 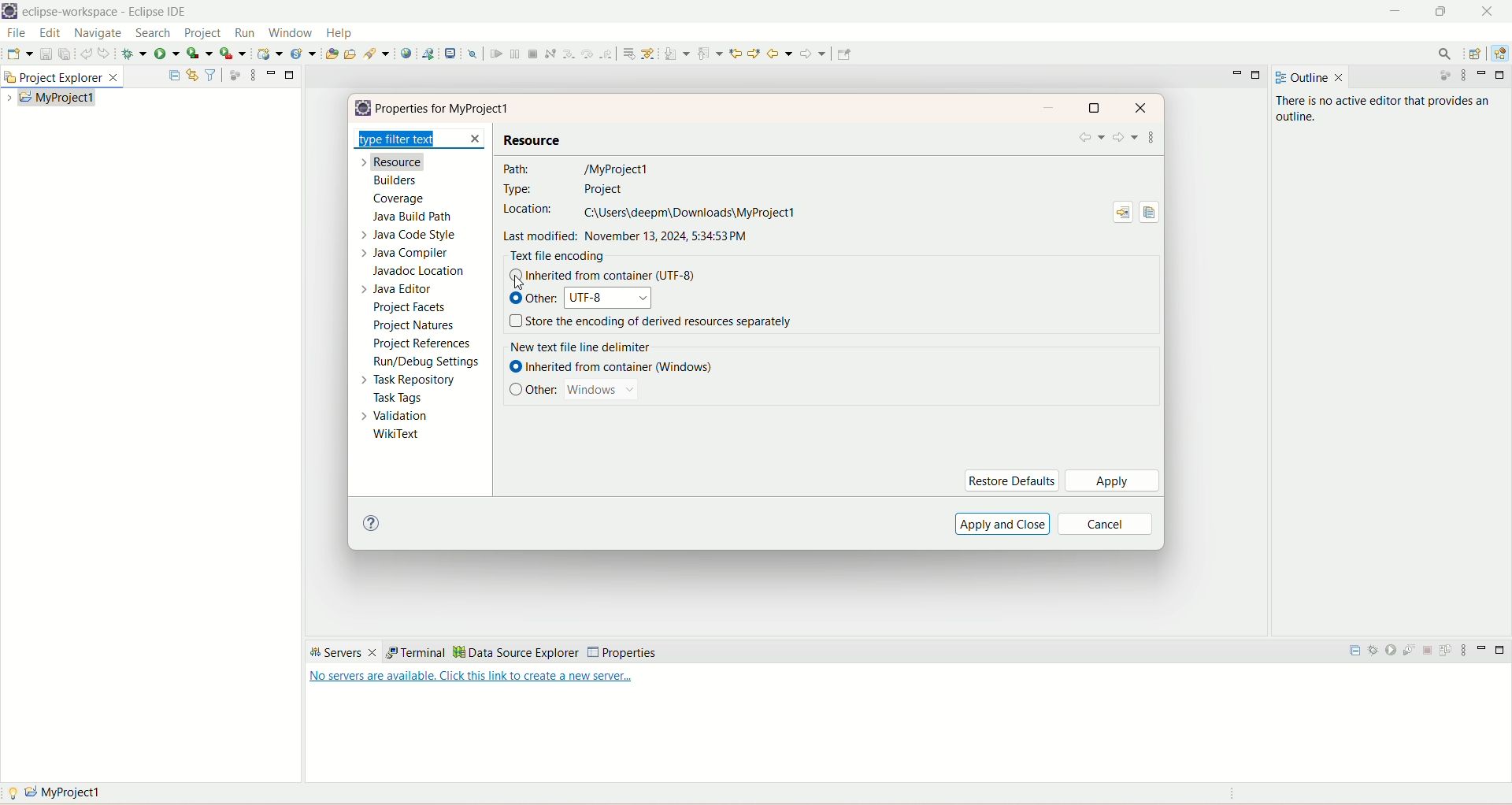 What do you see at coordinates (651, 53) in the screenshot?
I see `use step filters` at bounding box center [651, 53].